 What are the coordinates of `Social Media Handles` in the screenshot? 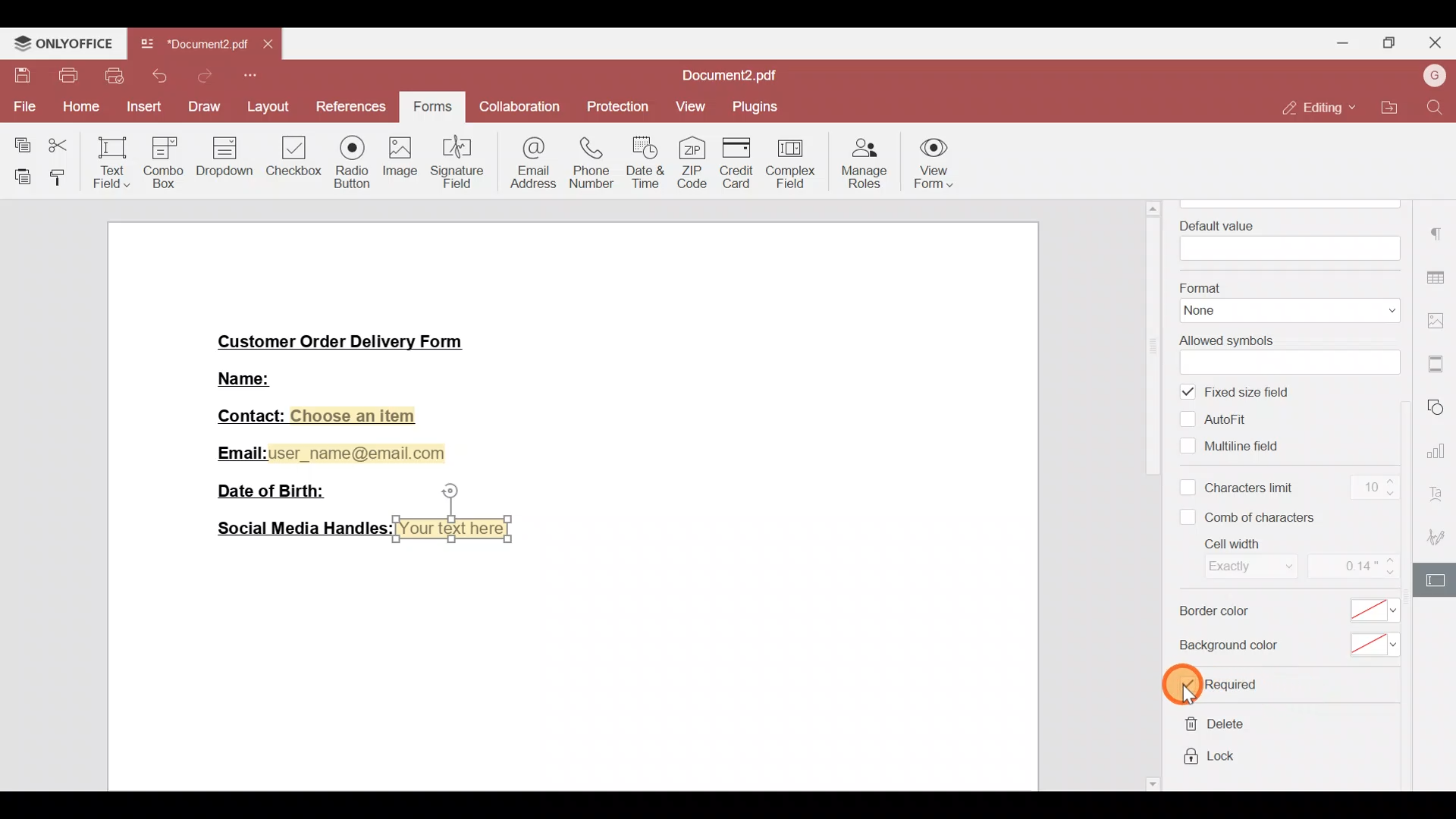 It's located at (299, 529).